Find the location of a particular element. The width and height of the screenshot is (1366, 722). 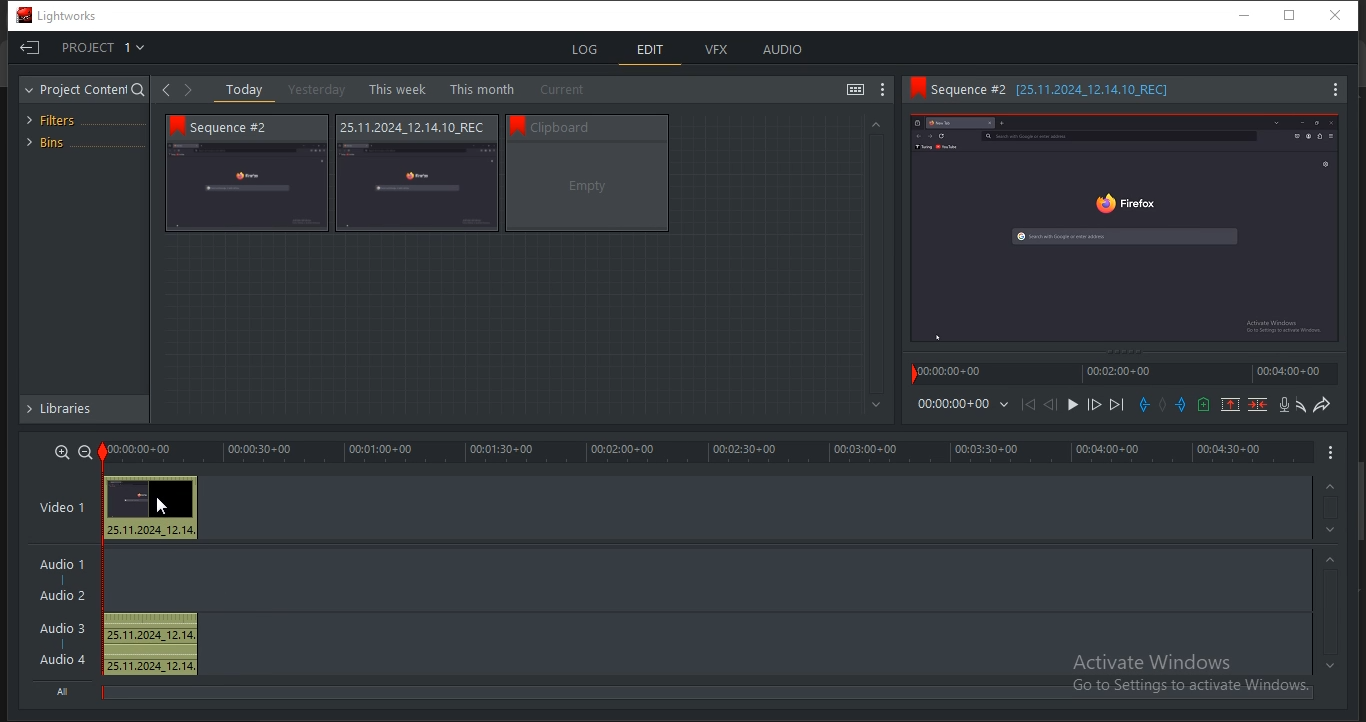

video thumbnail is located at coordinates (587, 186).